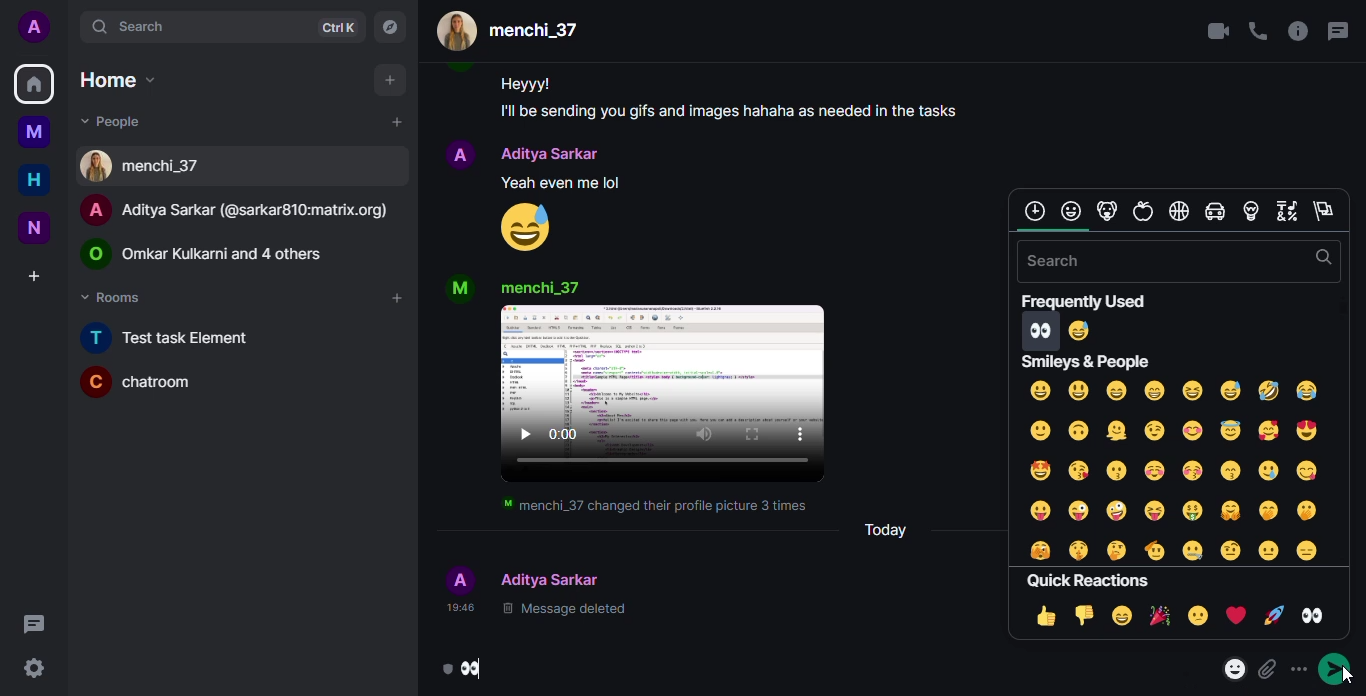  Describe the element at coordinates (35, 273) in the screenshot. I see `create a space` at that location.